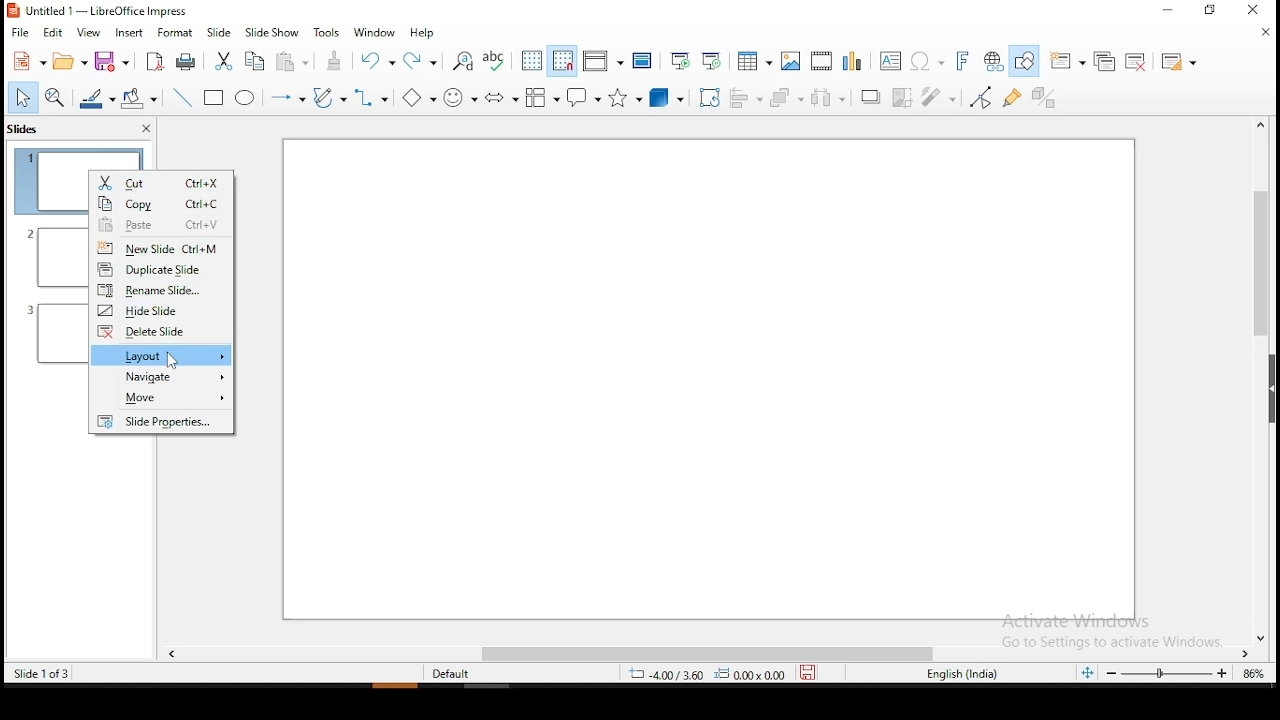 This screenshot has height=720, width=1280. What do you see at coordinates (328, 98) in the screenshot?
I see `curves and polygons` at bounding box center [328, 98].